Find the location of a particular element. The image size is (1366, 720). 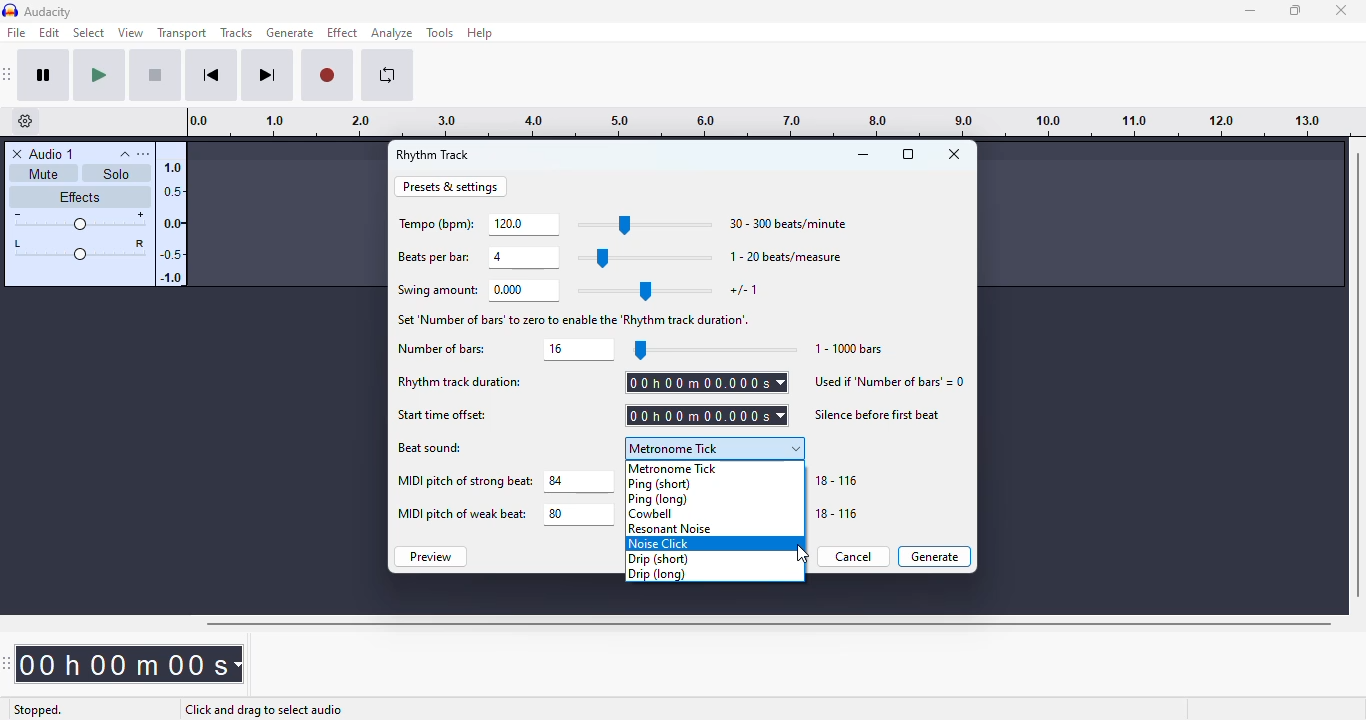

timeline is located at coordinates (760, 122).